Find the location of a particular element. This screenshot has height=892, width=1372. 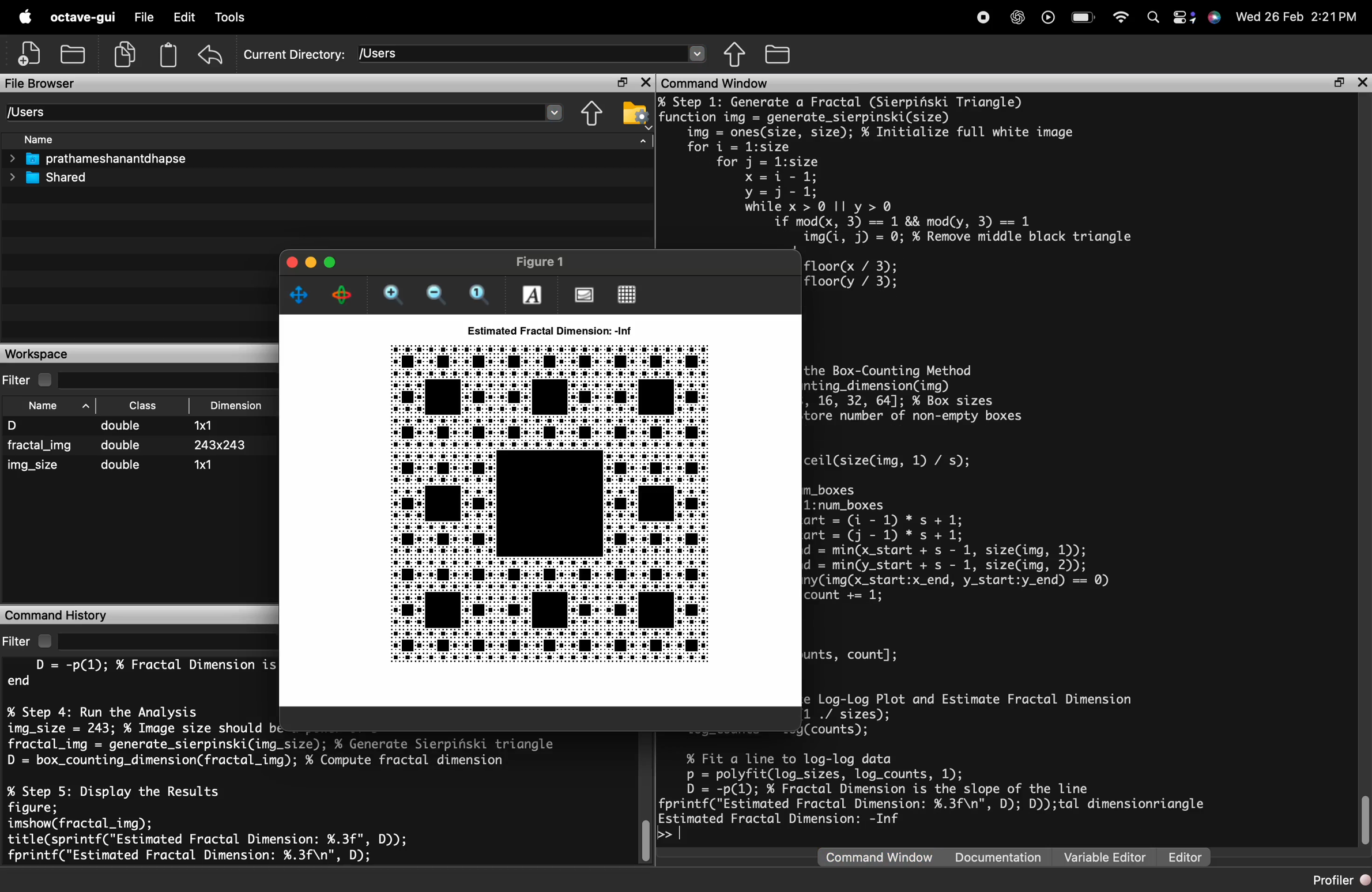

Class is located at coordinates (144, 405).